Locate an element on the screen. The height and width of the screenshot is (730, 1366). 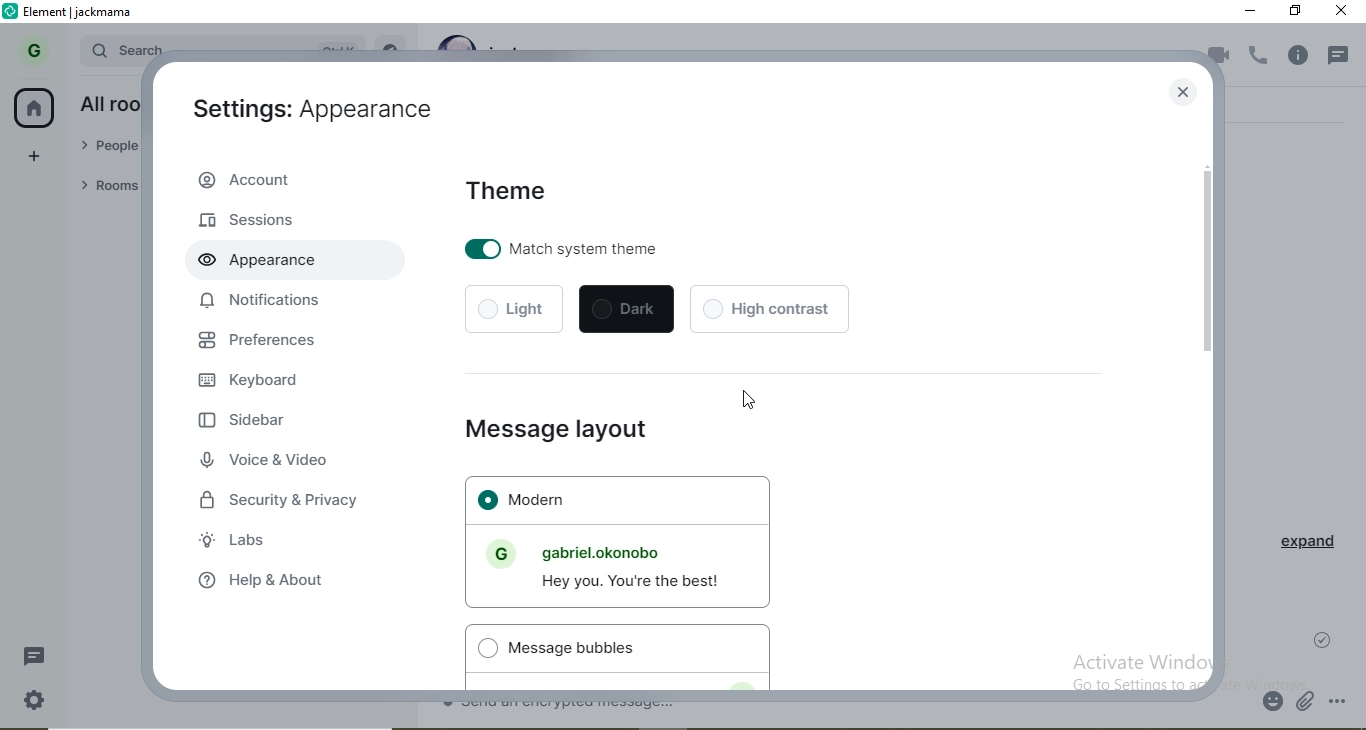
help & about is located at coordinates (273, 583).